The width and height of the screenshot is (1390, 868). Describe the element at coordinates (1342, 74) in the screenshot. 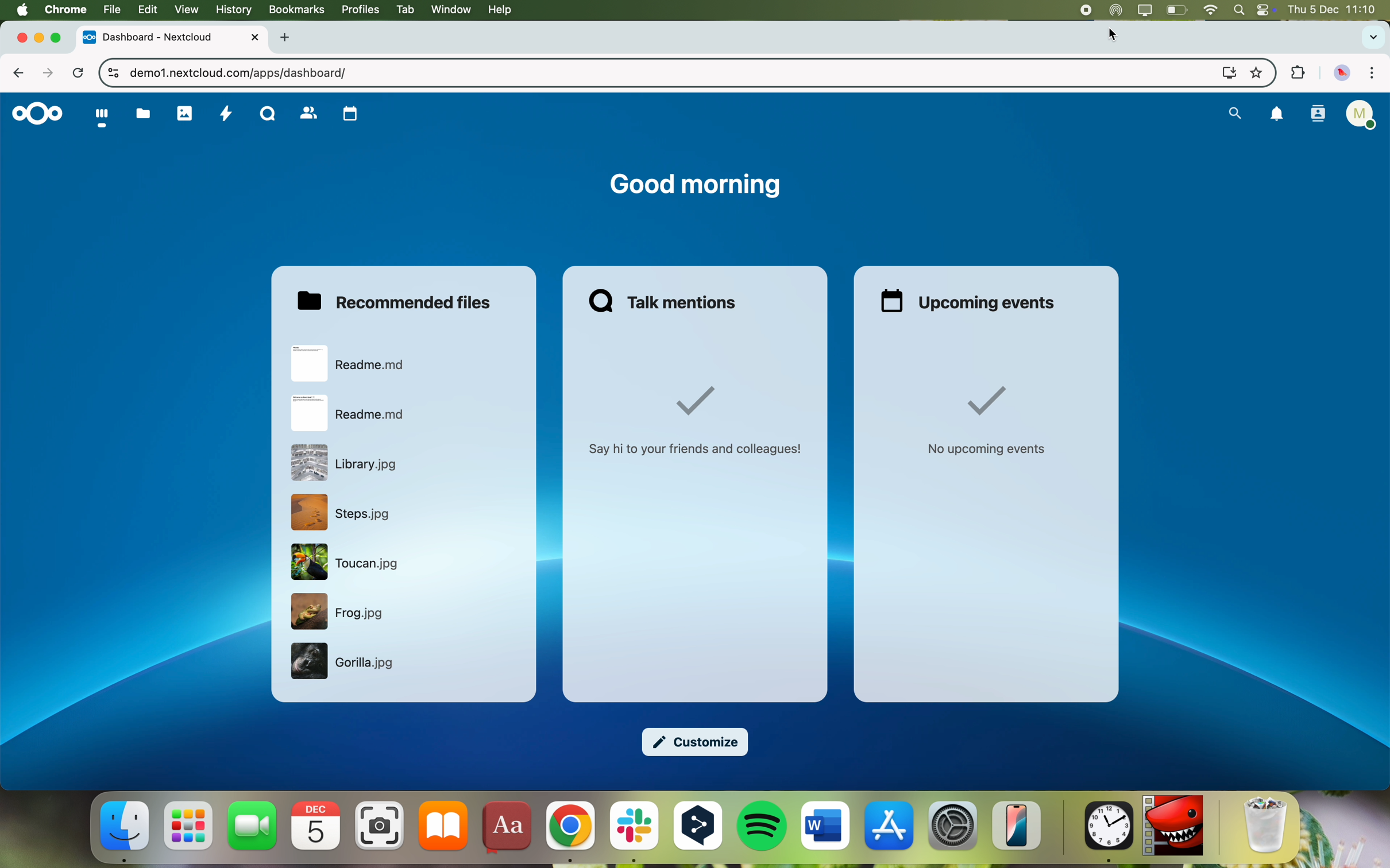

I see `profile picture` at that location.